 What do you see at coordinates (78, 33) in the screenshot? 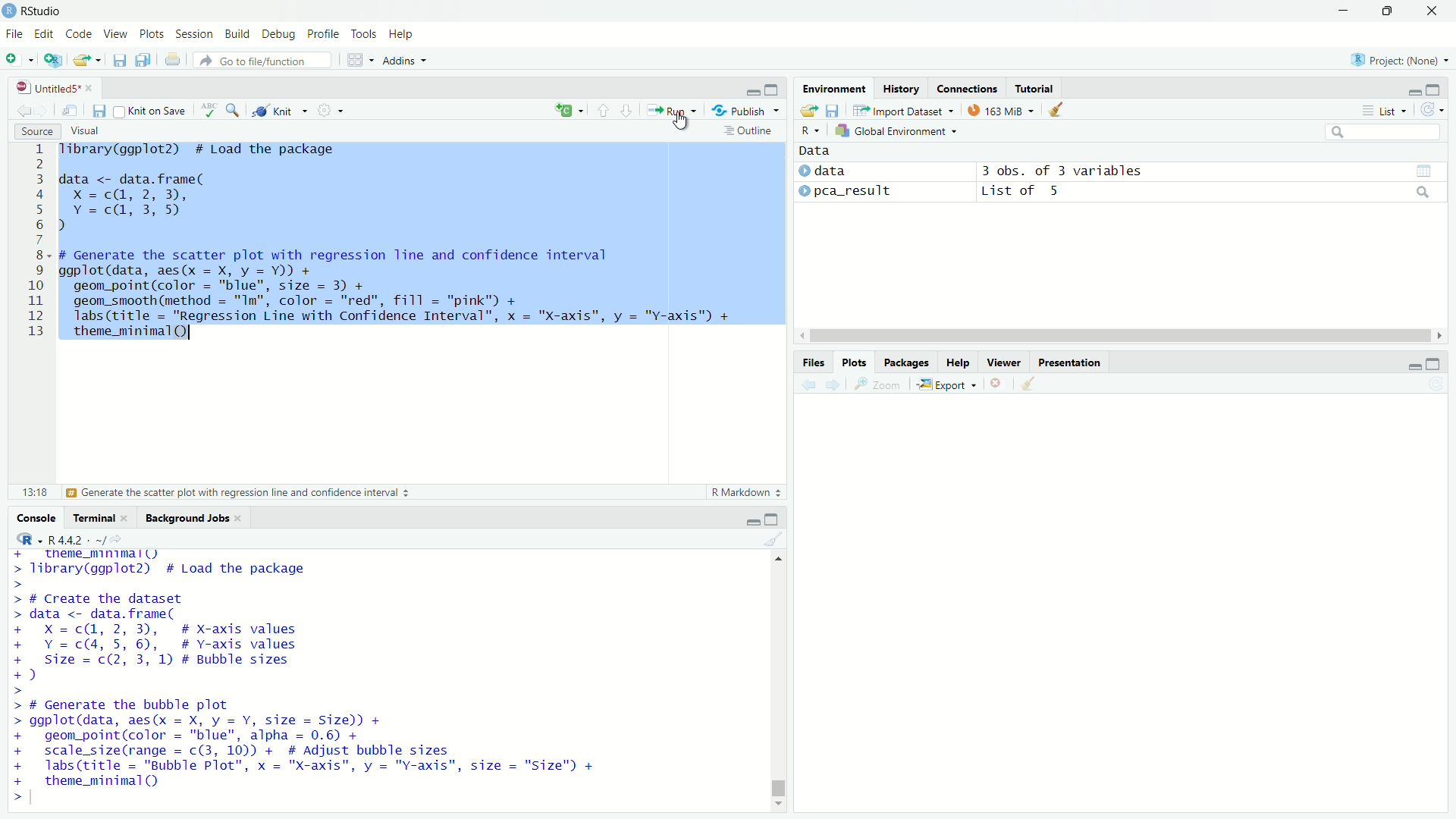
I see `Code` at bounding box center [78, 33].